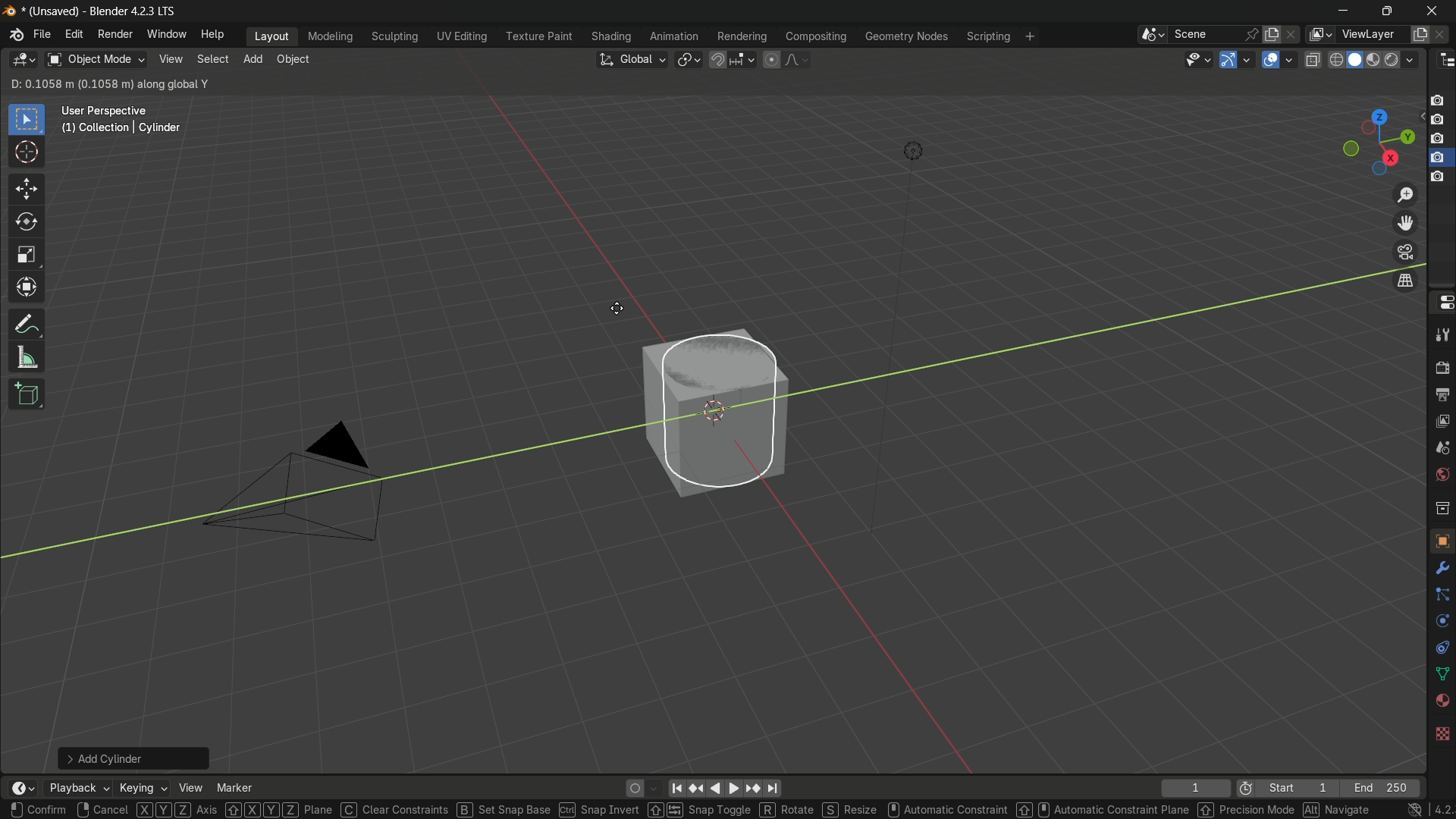 Image resolution: width=1456 pixels, height=819 pixels. I want to click on capture, so click(1439, 139).